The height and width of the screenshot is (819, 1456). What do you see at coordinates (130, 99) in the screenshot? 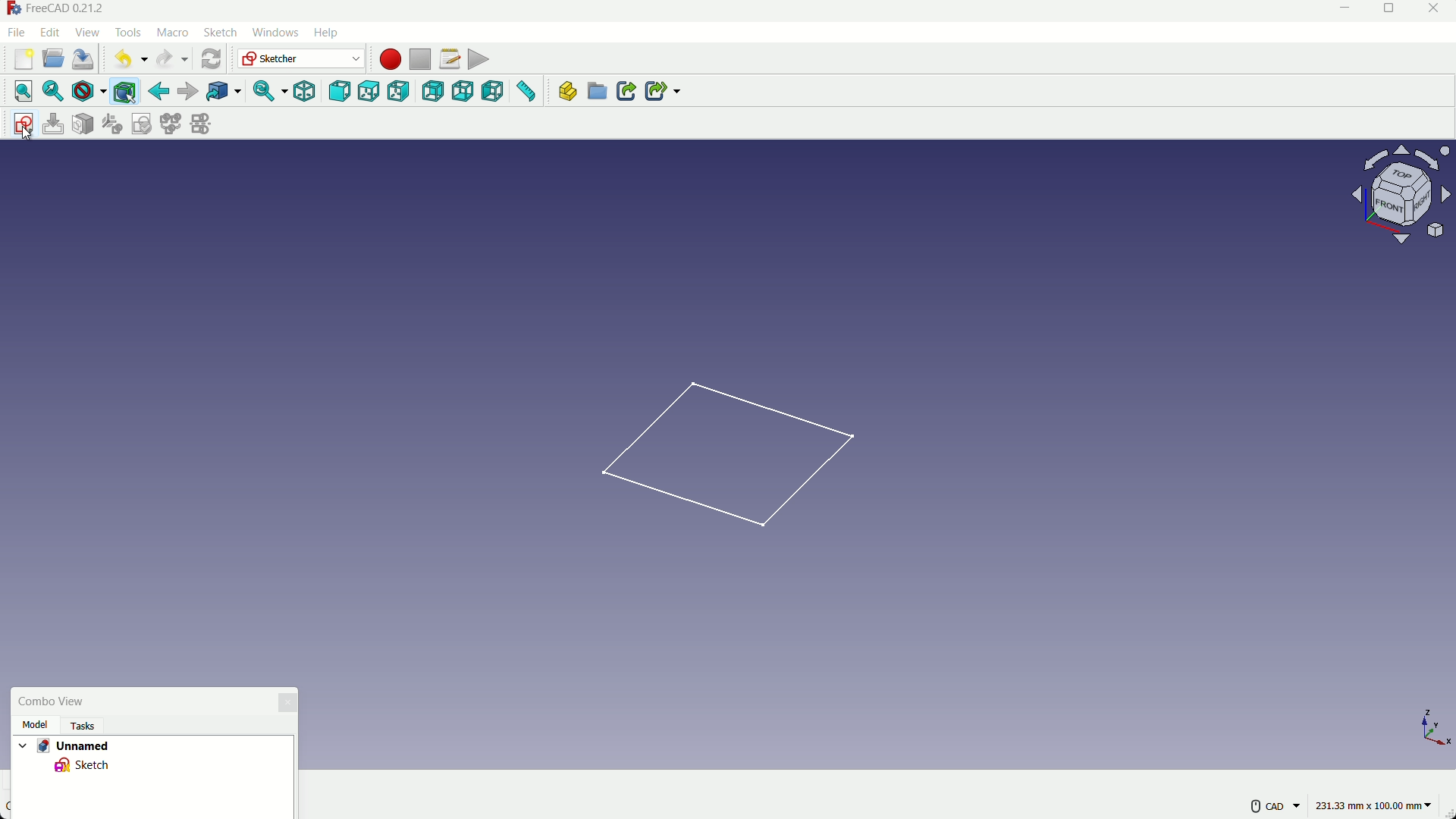
I see `Cursor` at bounding box center [130, 99].